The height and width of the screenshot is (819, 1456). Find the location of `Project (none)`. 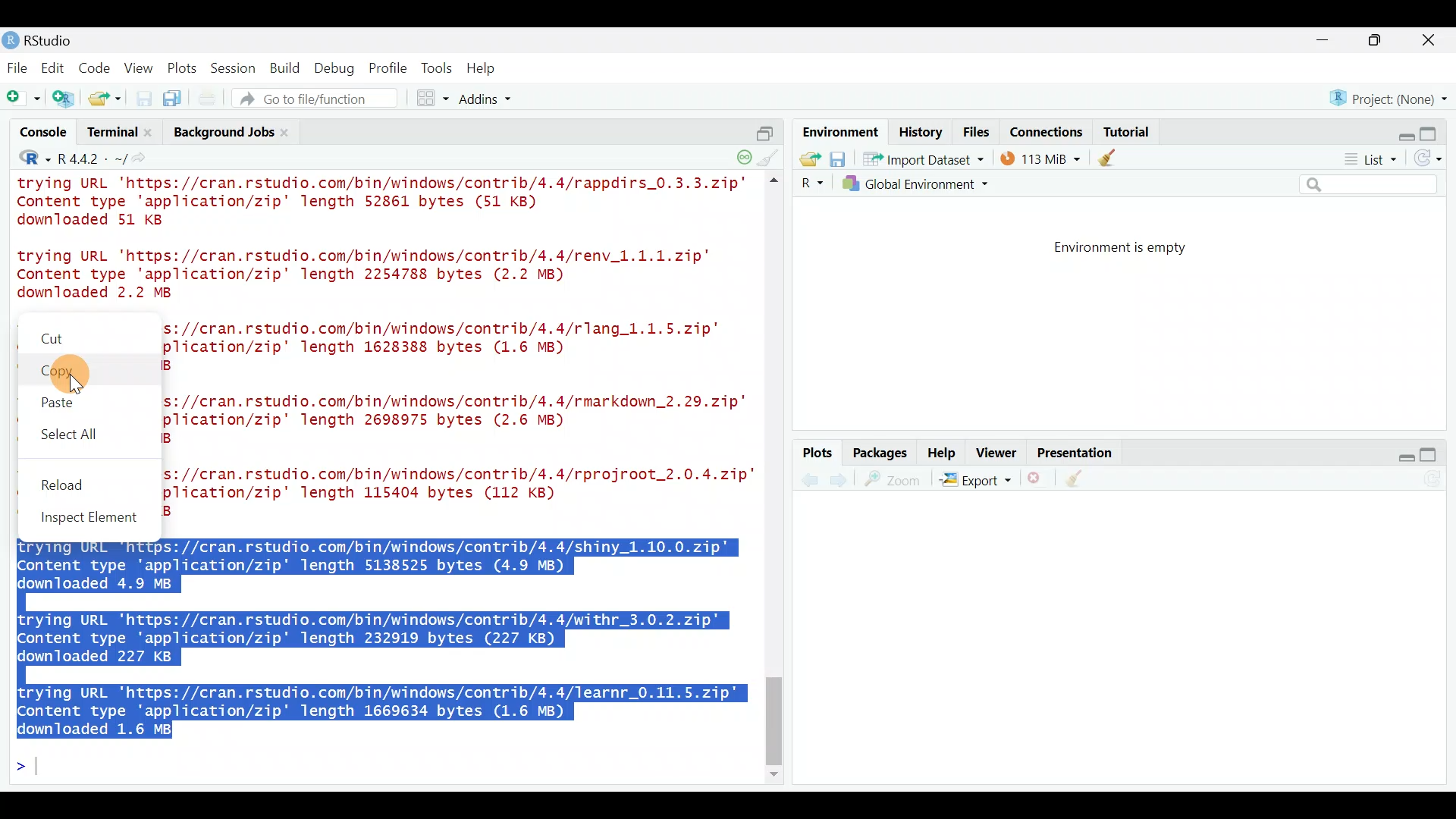

Project (none) is located at coordinates (1393, 96).